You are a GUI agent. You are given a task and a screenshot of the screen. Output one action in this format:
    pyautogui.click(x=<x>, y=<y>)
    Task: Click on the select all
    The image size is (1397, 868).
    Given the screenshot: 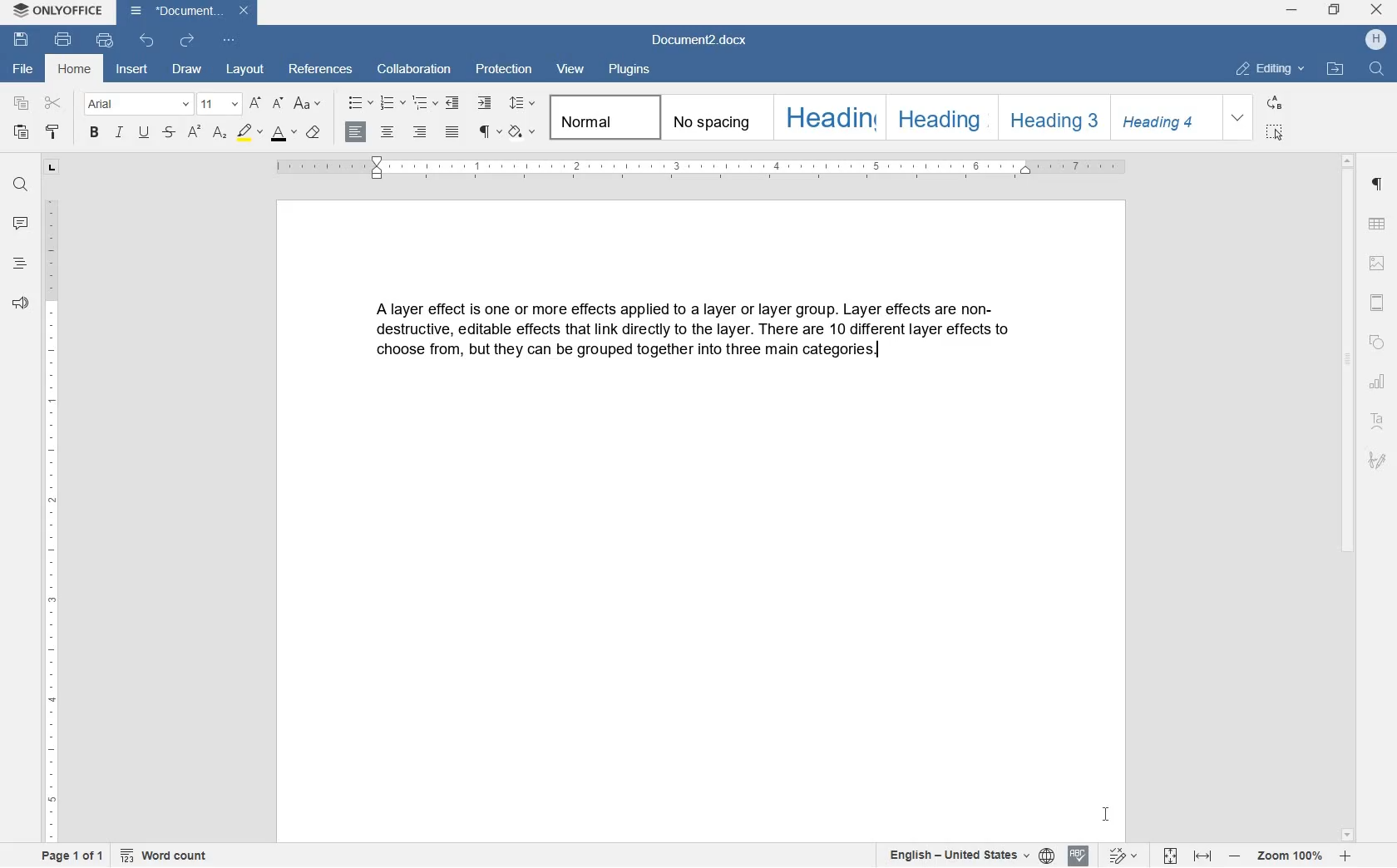 What is the action you would take?
    pyautogui.click(x=1276, y=132)
    